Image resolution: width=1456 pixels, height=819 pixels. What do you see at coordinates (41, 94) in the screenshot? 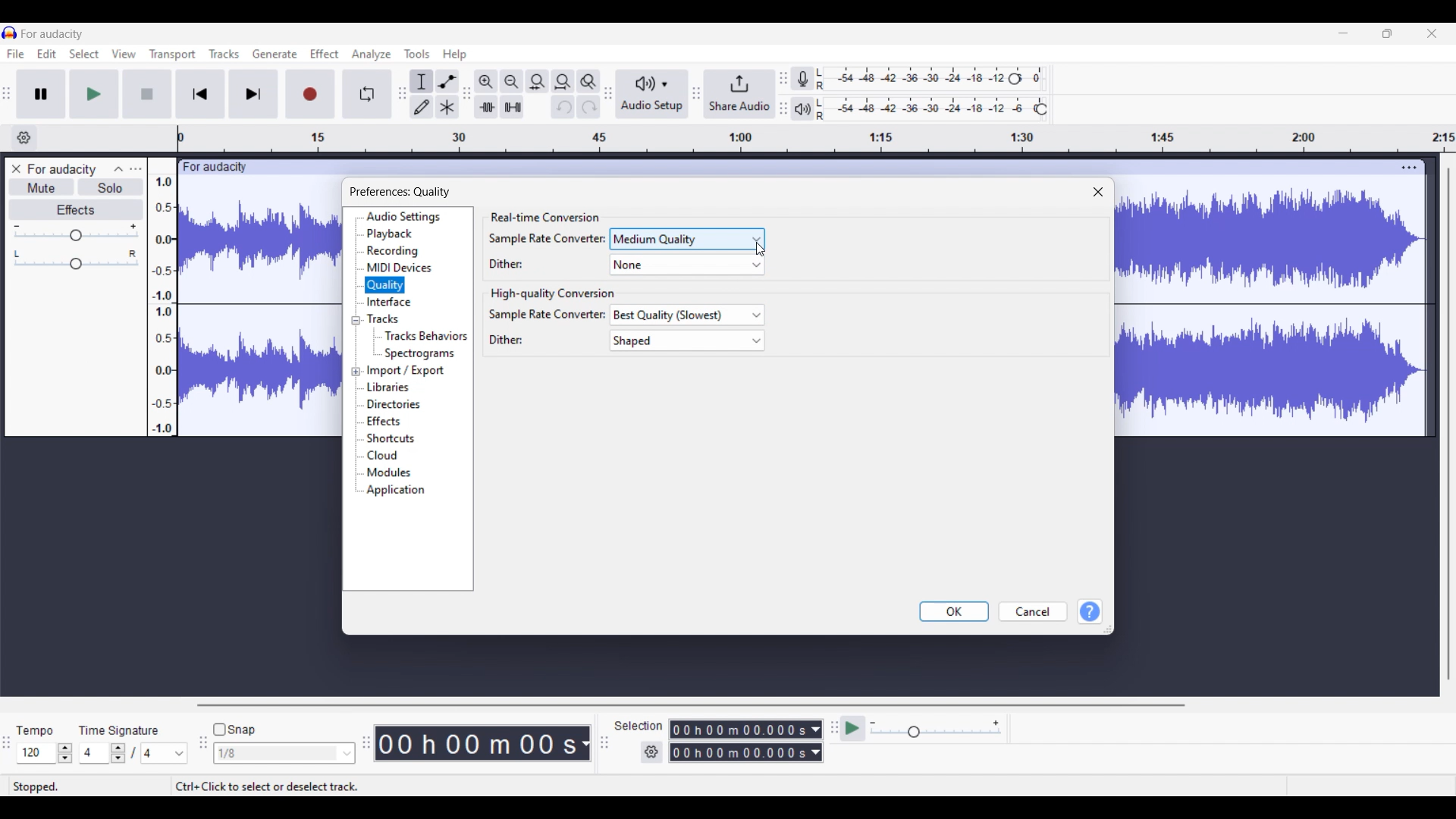
I see `Pause` at bounding box center [41, 94].